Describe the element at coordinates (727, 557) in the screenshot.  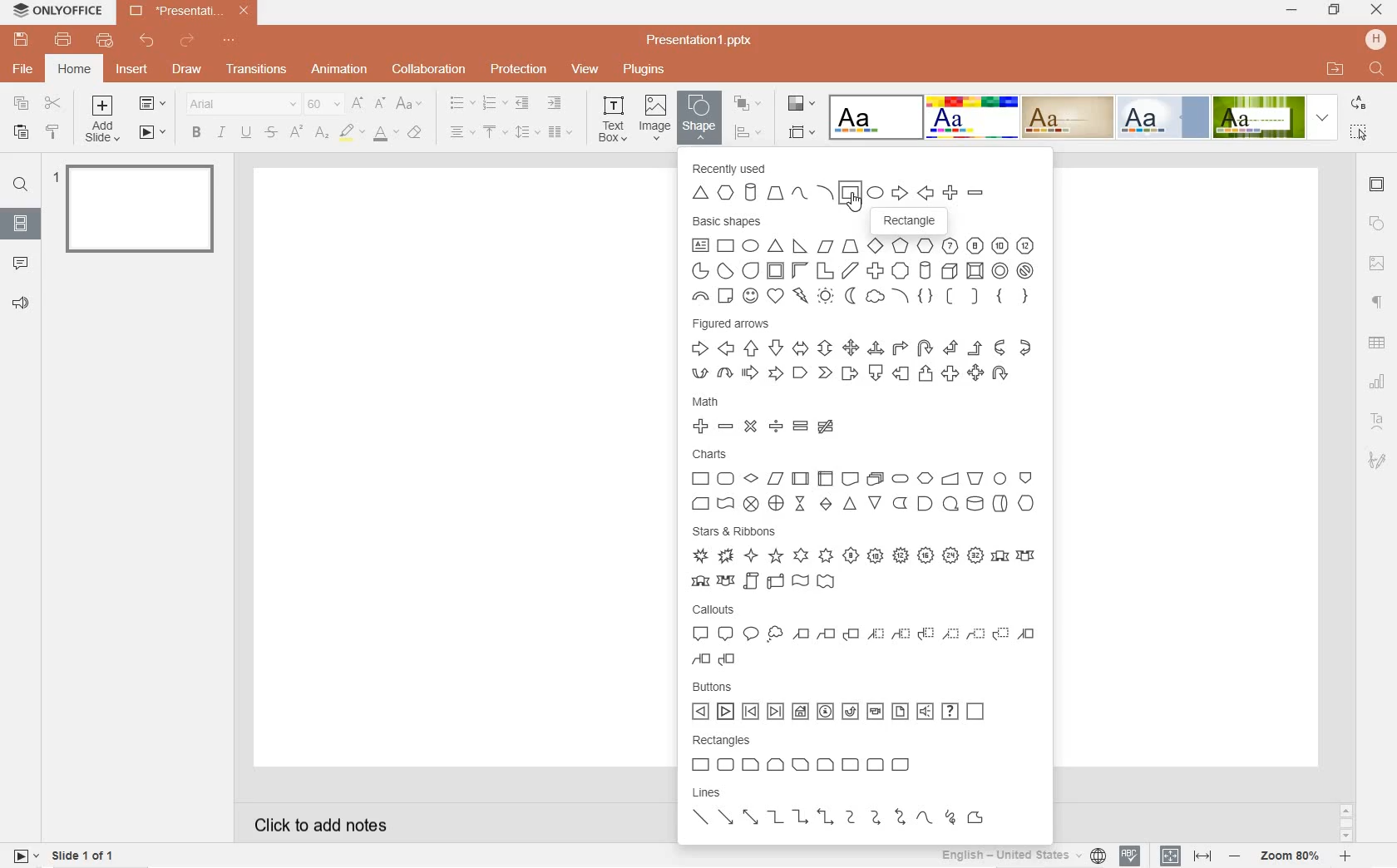
I see `Explosion 2` at that location.